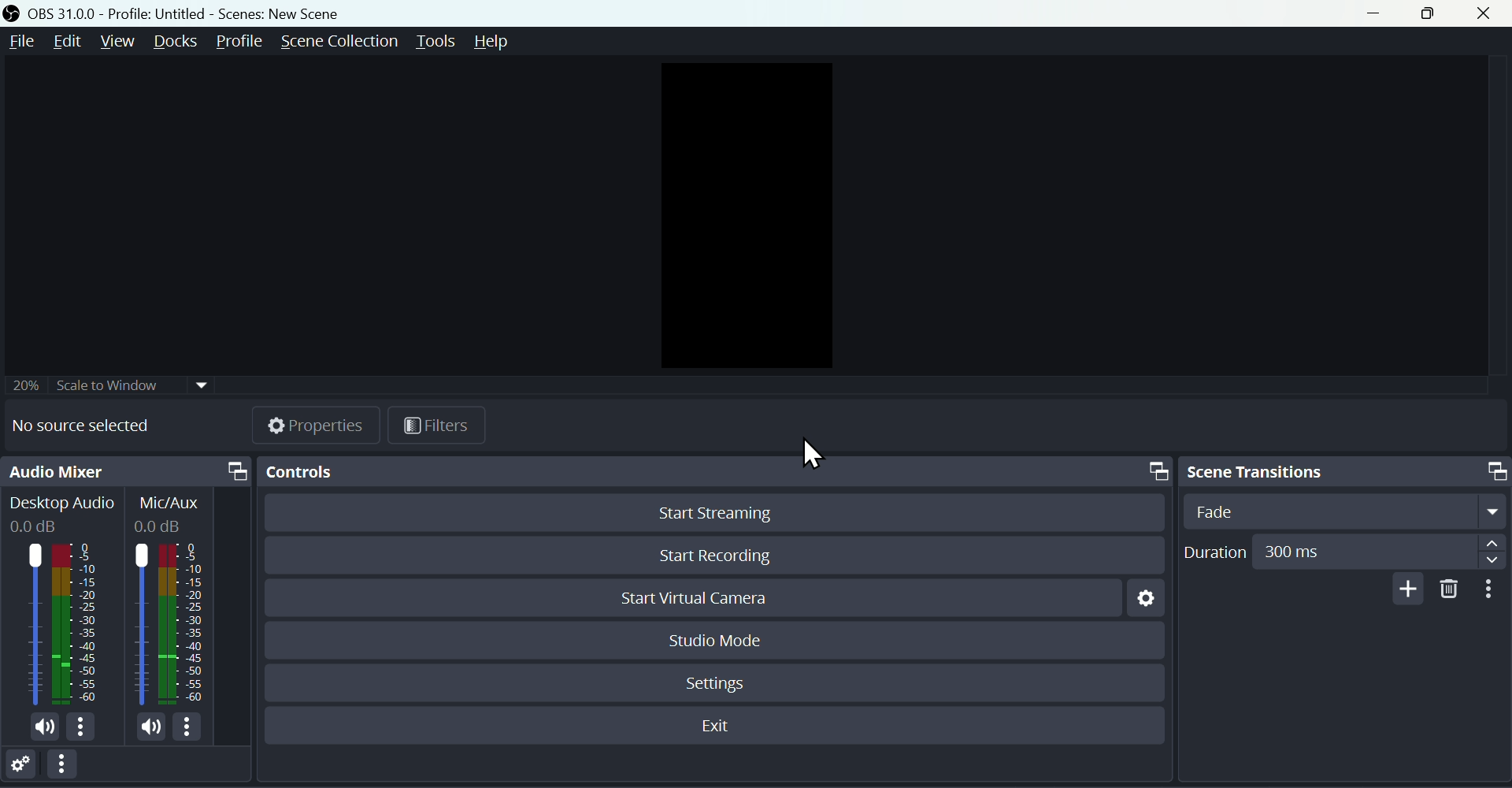 The width and height of the screenshot is (1512, 788). I want to click on volume, so click(142, 726).